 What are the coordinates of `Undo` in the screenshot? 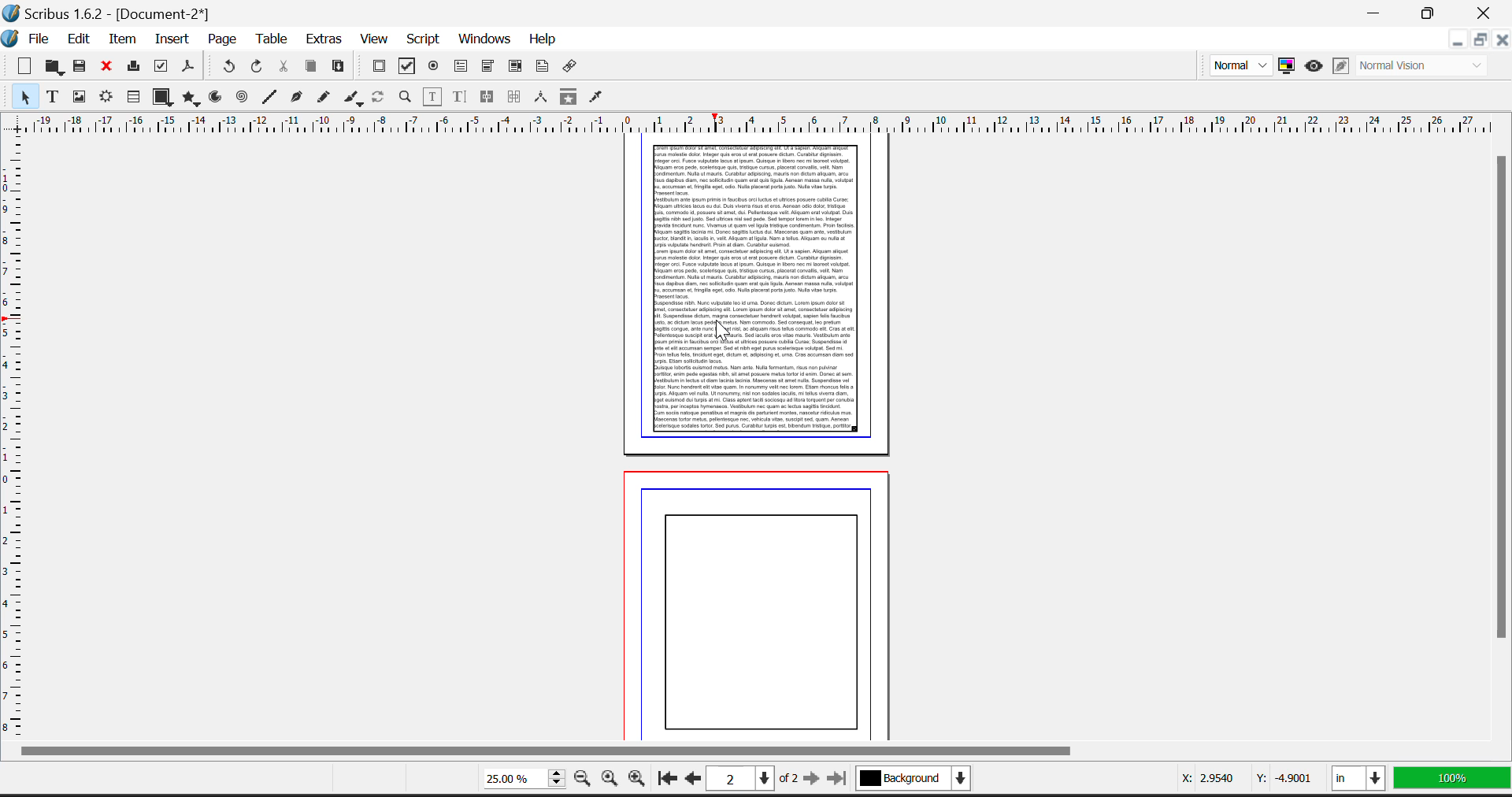 It's located at (228, 67).